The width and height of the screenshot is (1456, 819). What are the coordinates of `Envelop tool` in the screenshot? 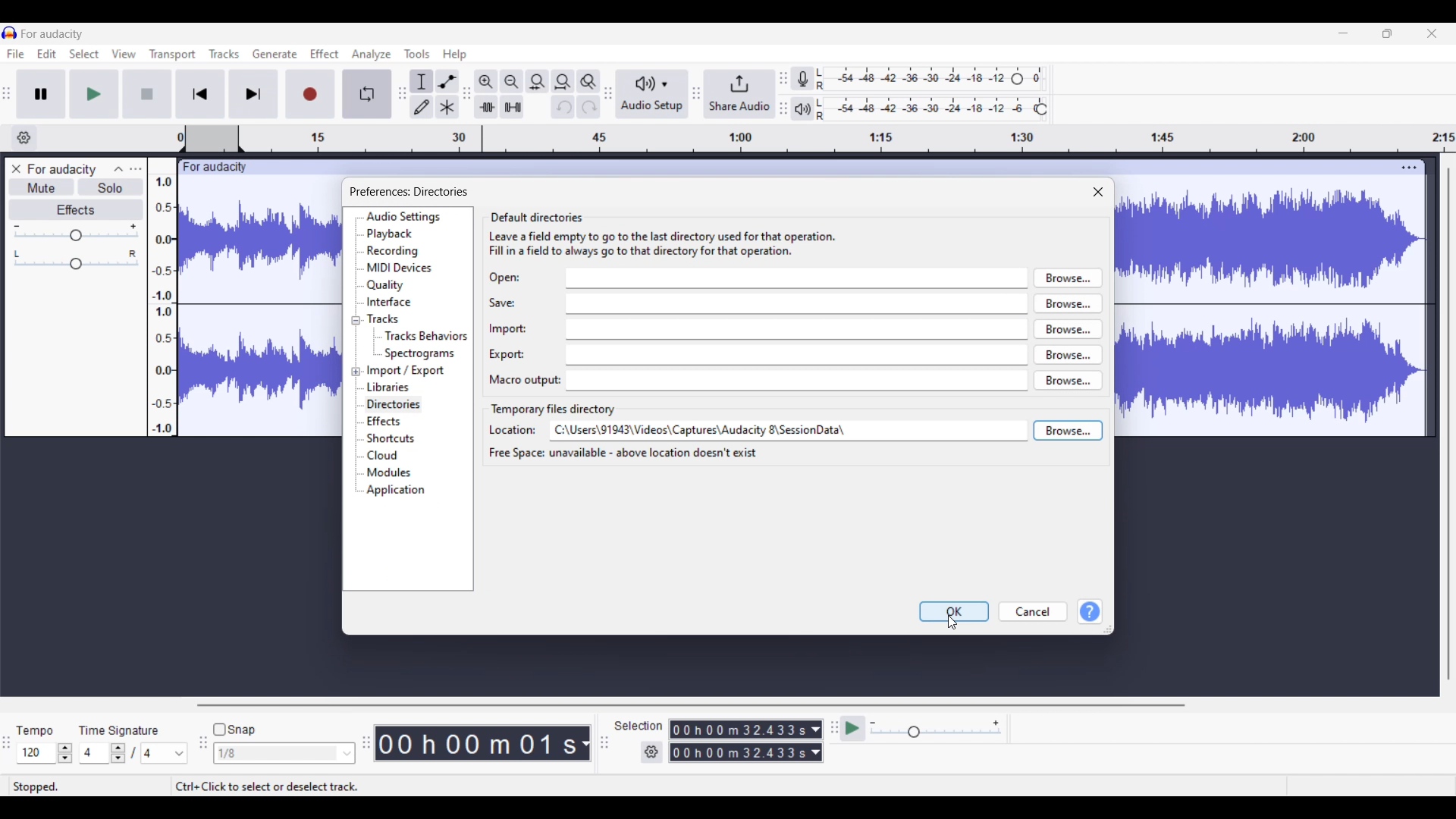 It's located at (447, 82).